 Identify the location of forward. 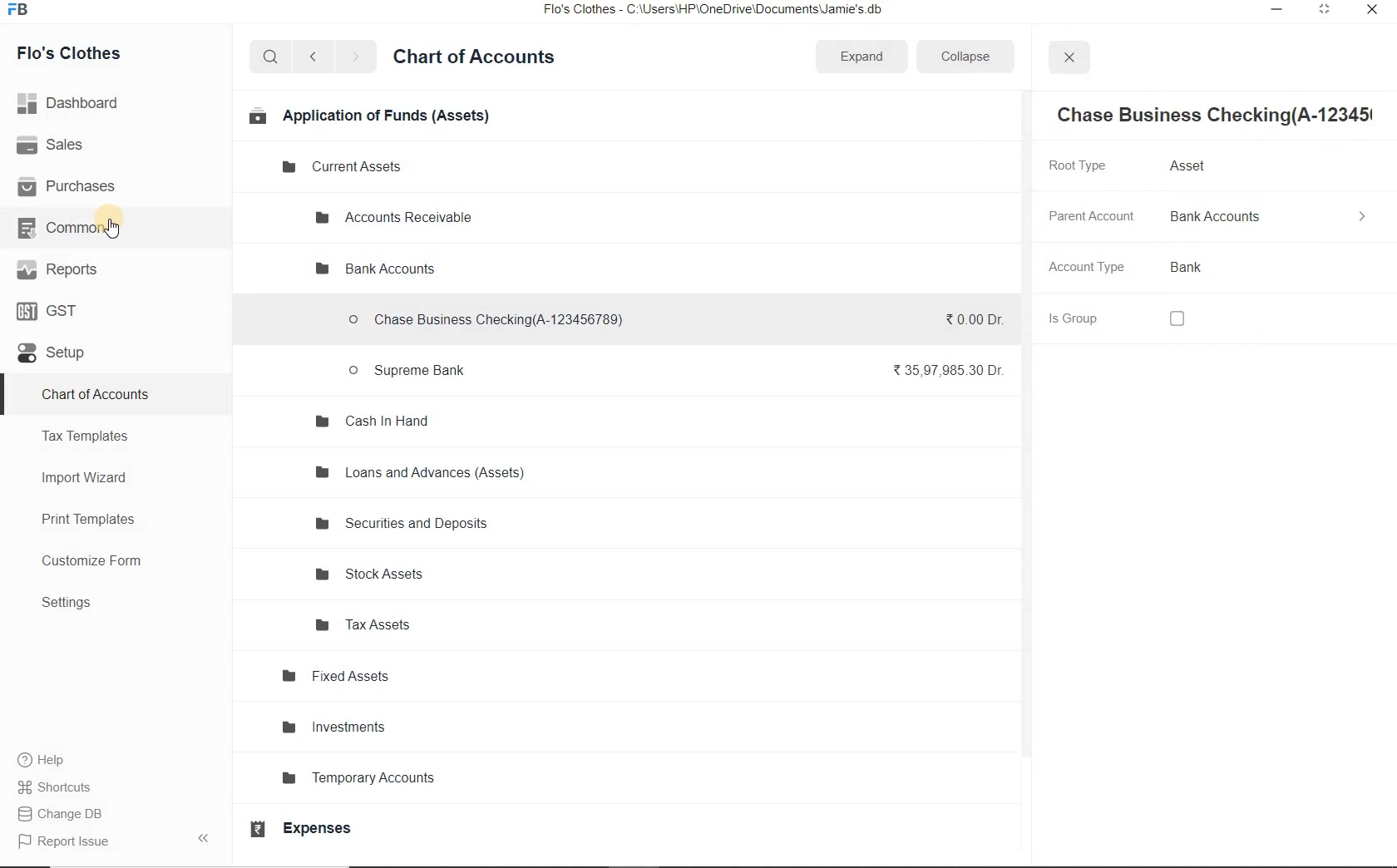
(357, 57).